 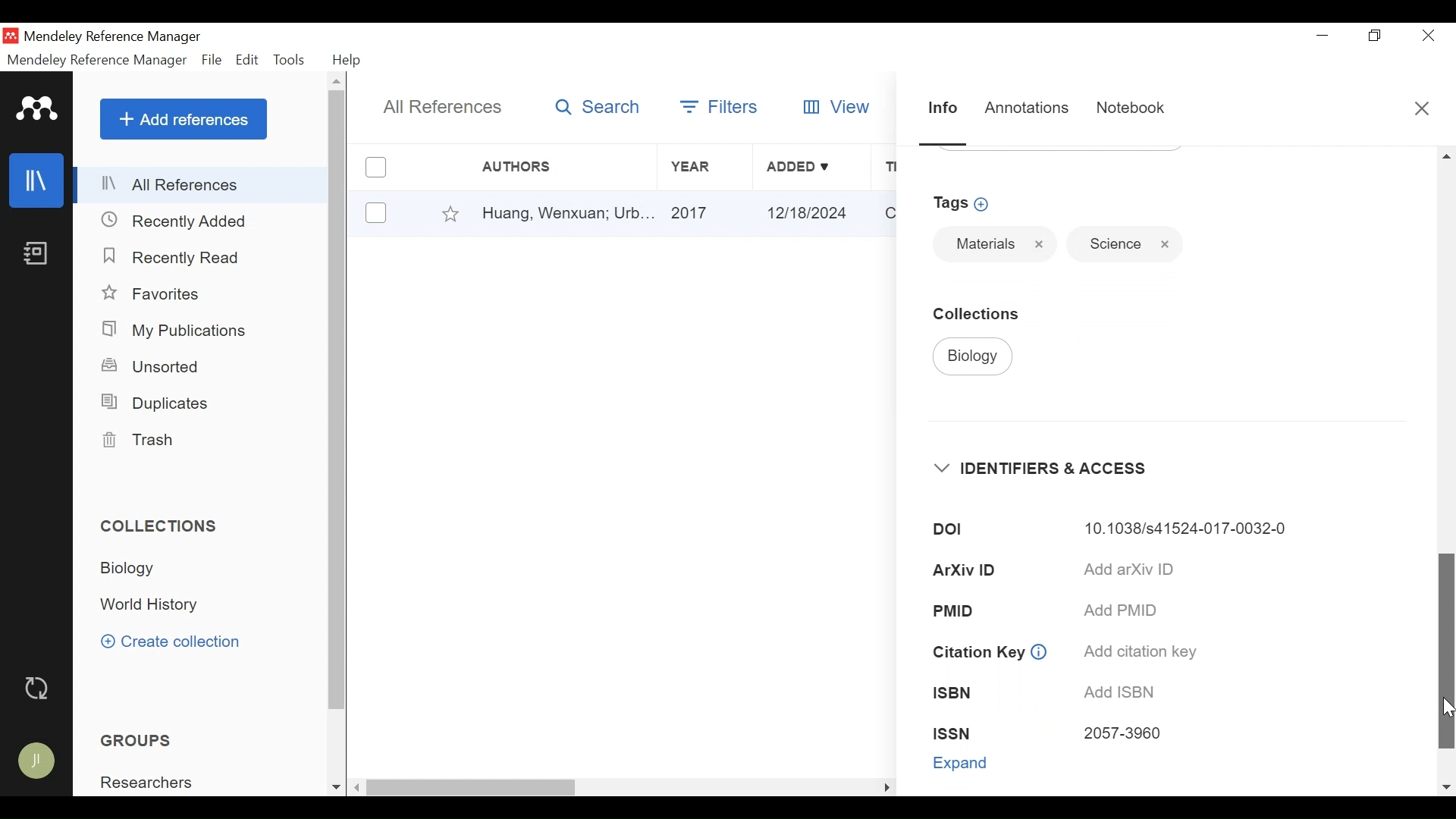 I want to click on Scroll down, so click(x=334, y=787).